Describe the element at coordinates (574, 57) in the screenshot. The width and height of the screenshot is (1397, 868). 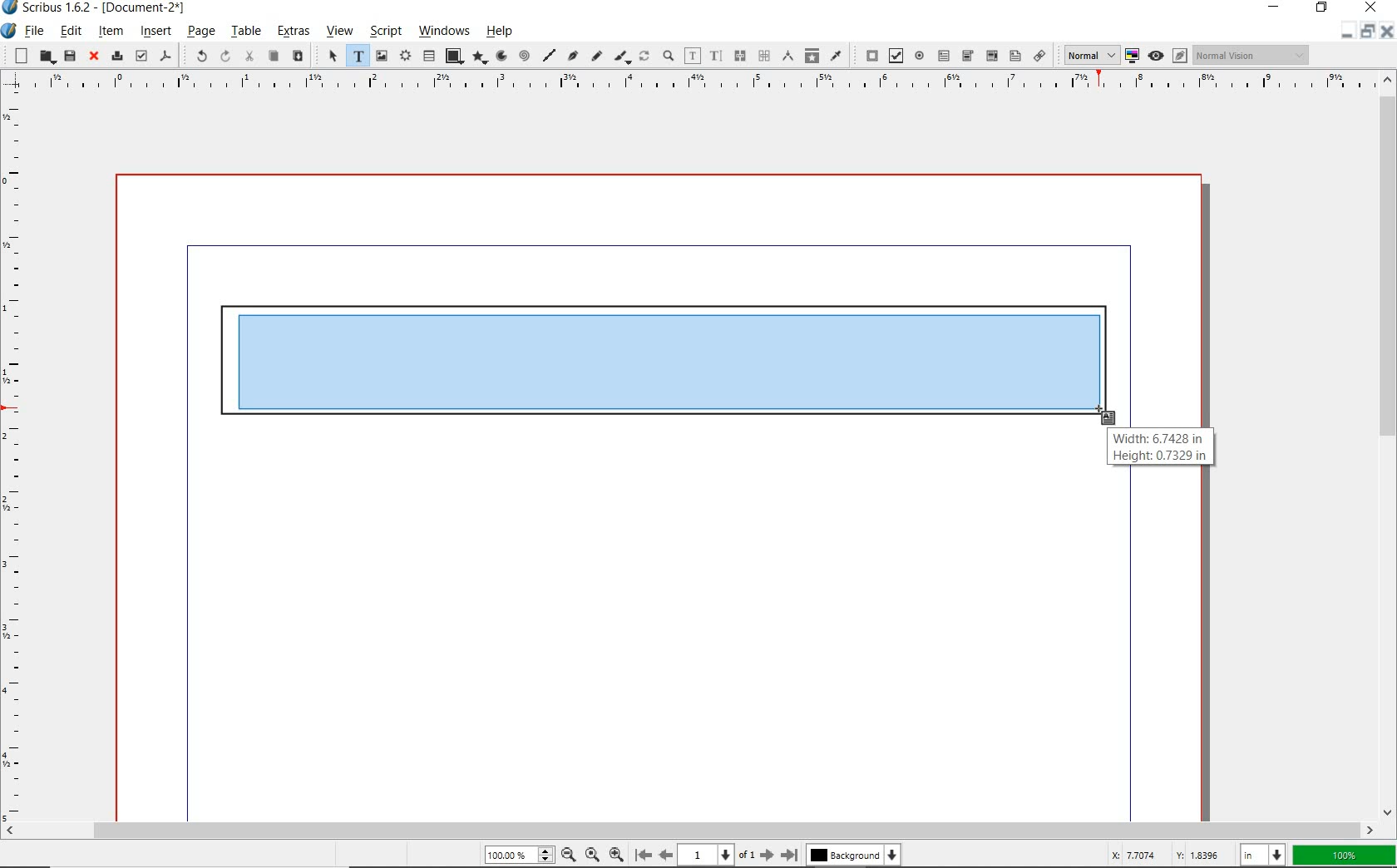
I see `Bezier curve` at that location.